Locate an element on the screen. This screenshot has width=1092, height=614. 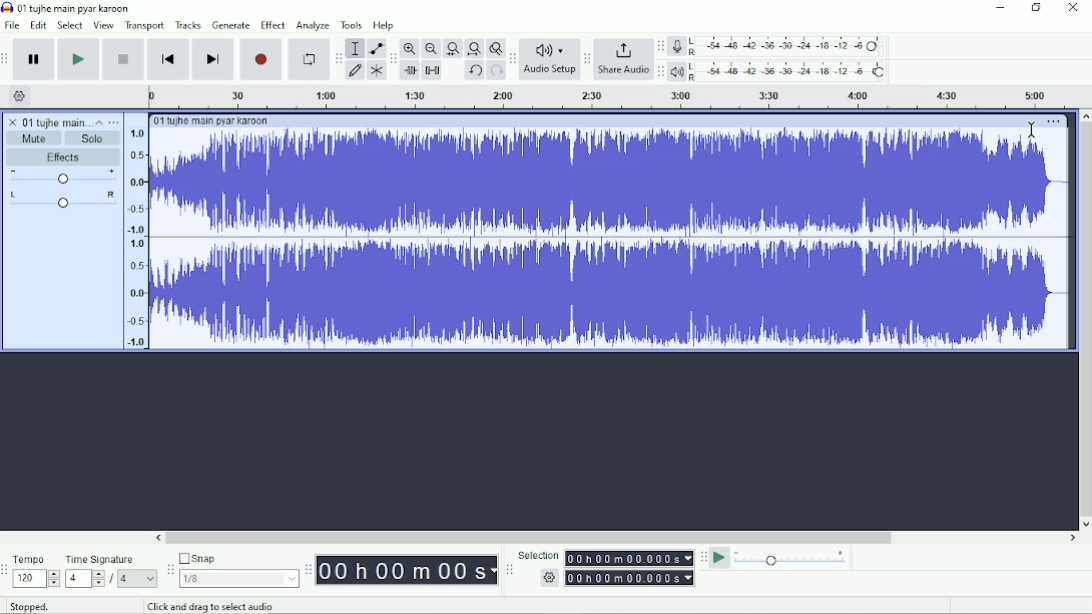
Skip to end is located at coordinates (213, 60).